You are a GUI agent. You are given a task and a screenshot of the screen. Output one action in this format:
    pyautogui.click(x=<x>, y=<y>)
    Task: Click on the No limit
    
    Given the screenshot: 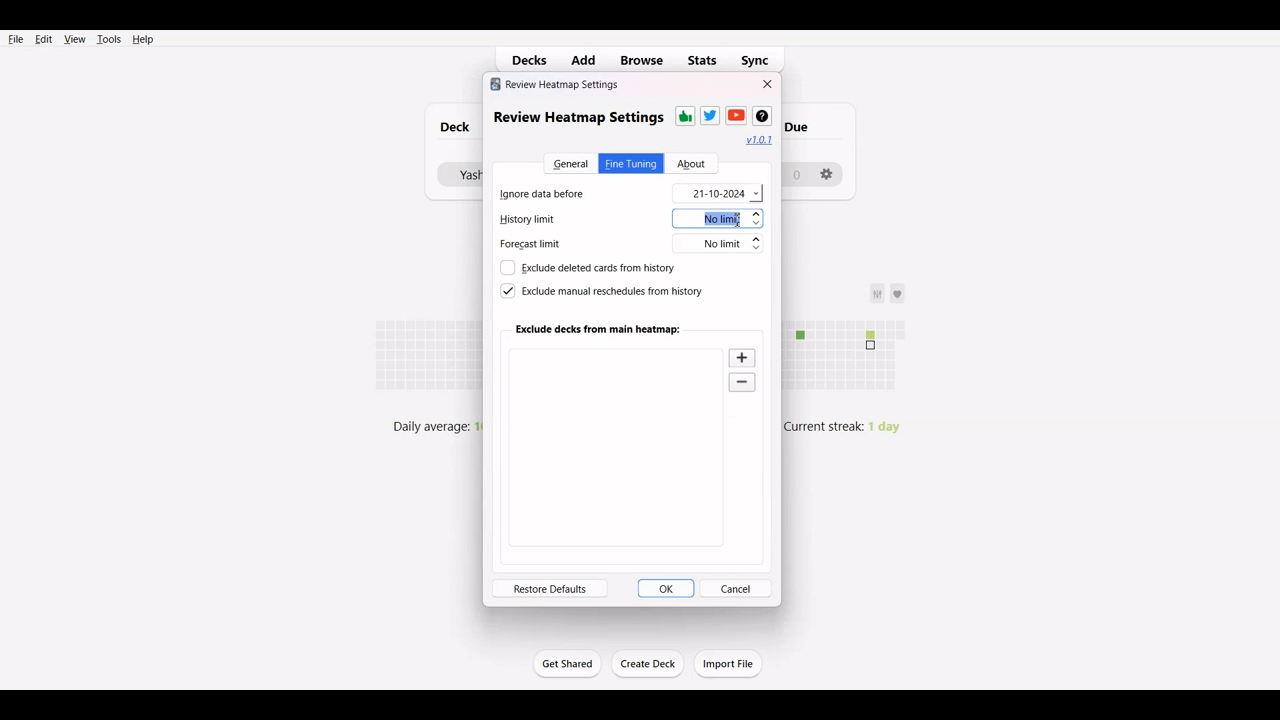 What is the action you would take?
    pyautogui.click(x=715, y=219)
    